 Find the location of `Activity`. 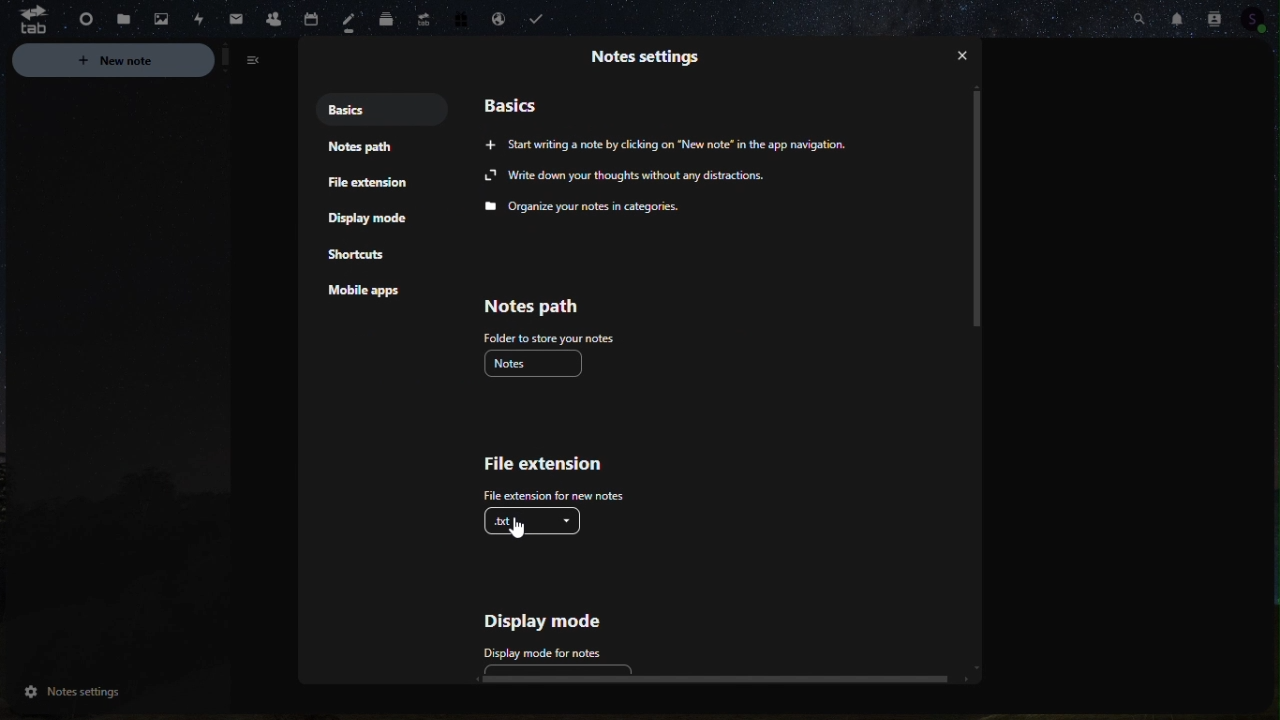

Activity is located at coordinates (192, 18).